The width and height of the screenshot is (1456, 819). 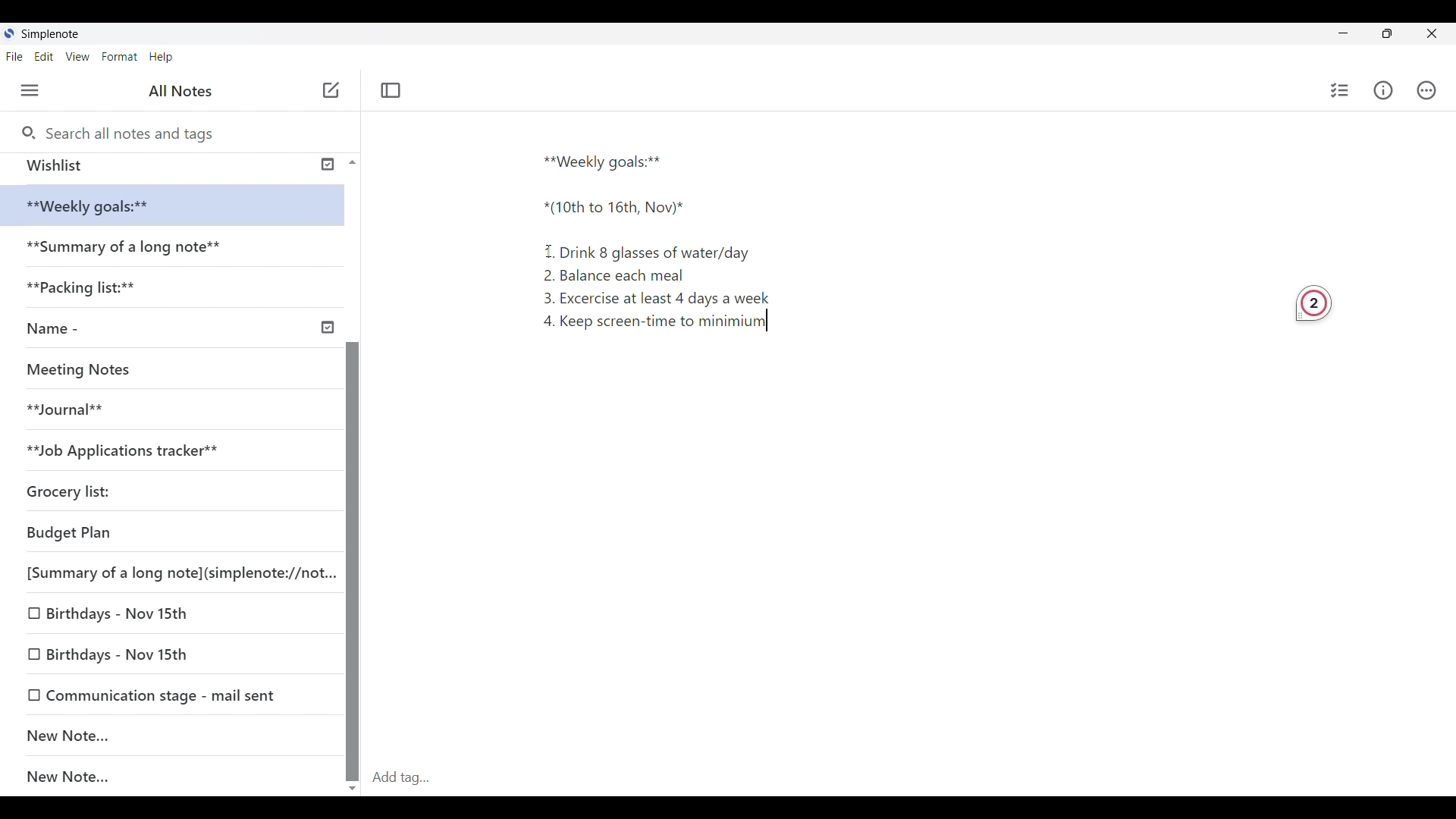 I want to click on Format, so click(x=120, y=56).